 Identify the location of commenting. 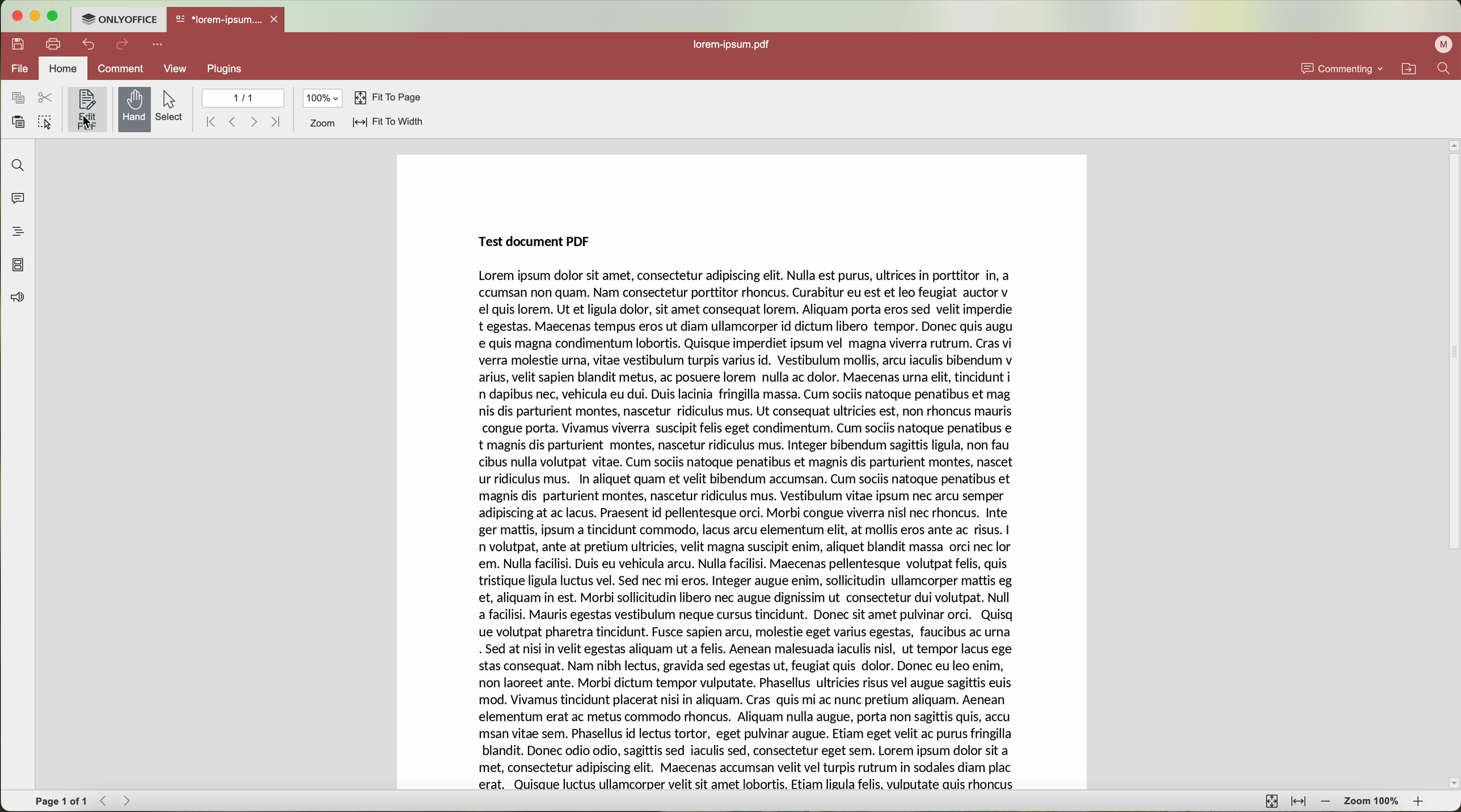
(1337, 68).